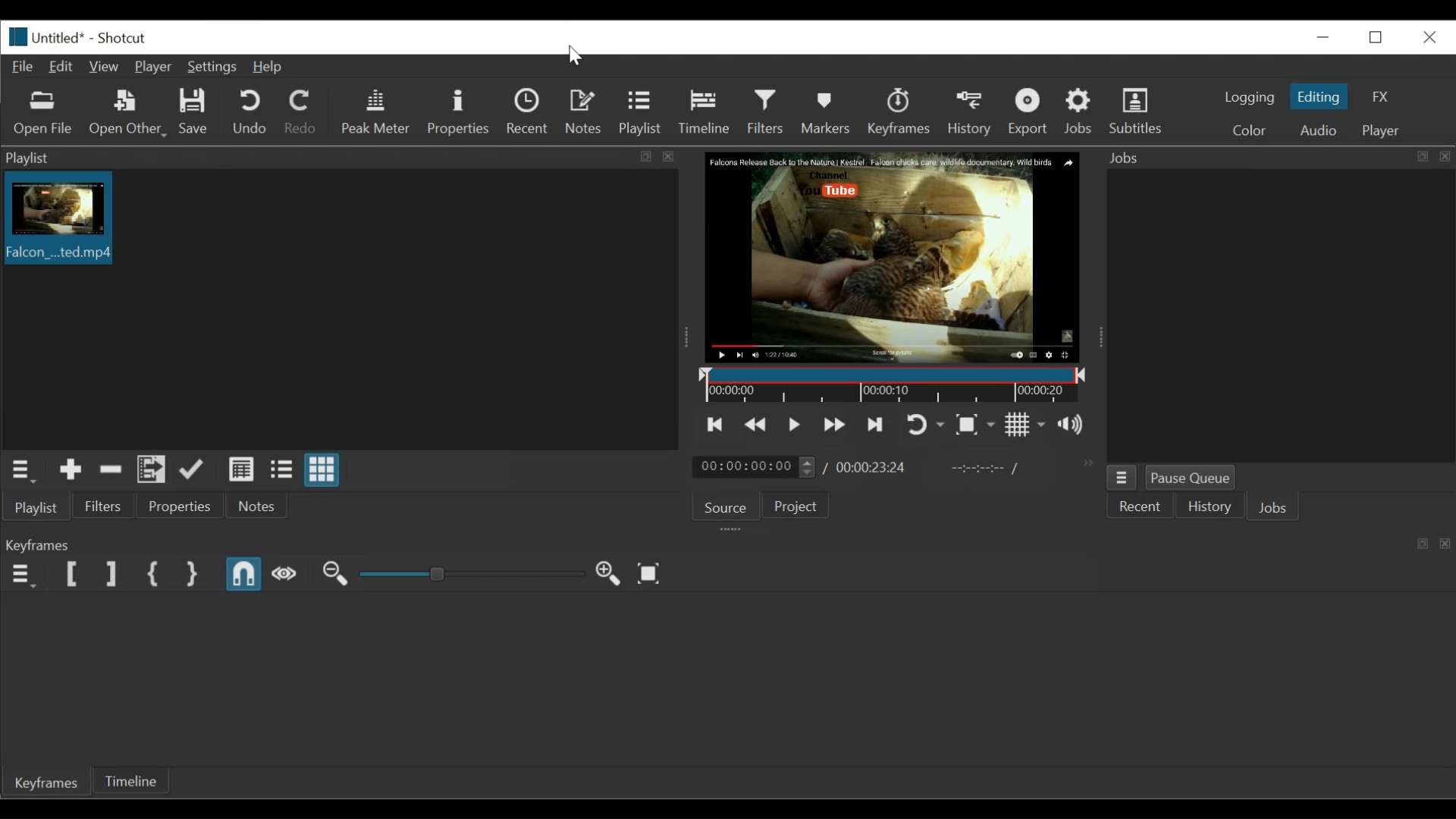 This screenshot has width=1456, height=819. What do you see at coordinates (985, 469) in the screenshot?
I see `In point` at bounding box center [985, 469].